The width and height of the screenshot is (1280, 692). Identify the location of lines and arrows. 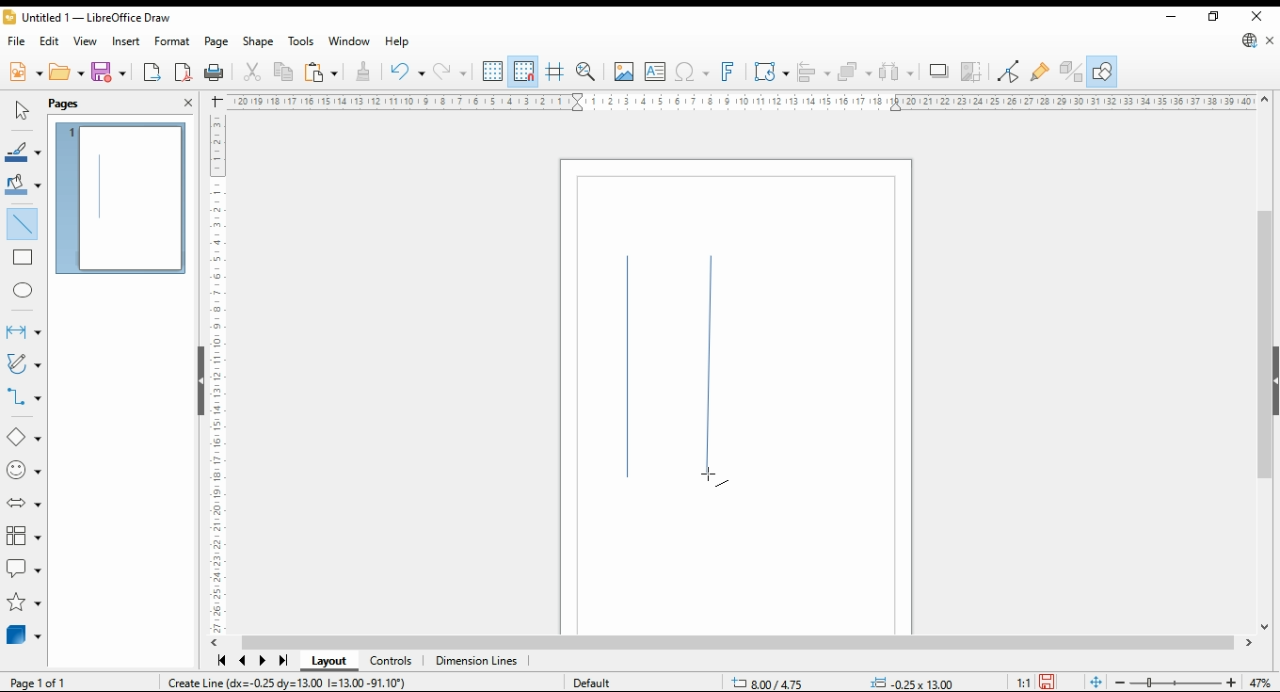
(23, 331).